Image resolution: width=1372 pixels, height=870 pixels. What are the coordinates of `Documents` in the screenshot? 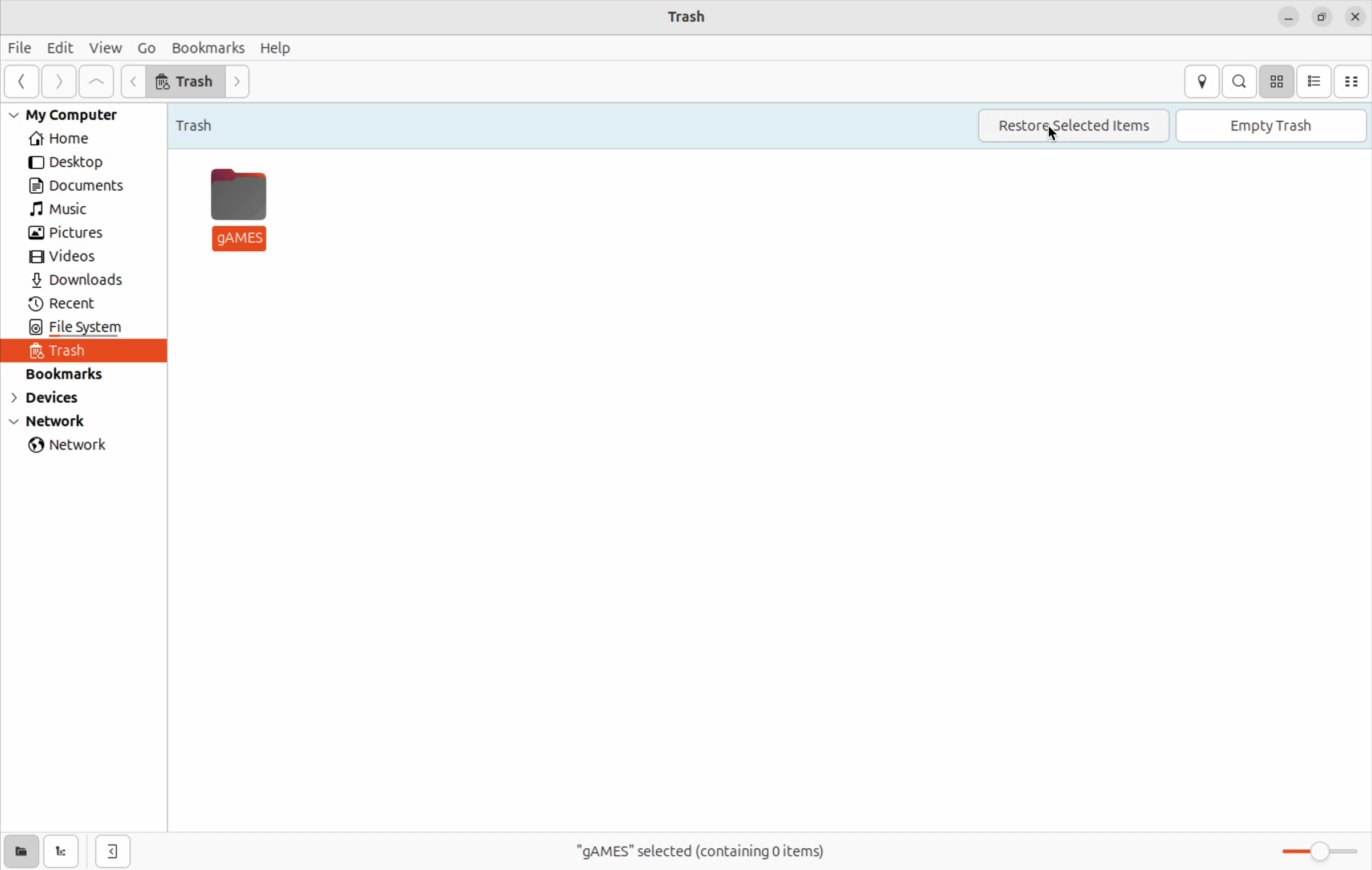 It's located at (82, 185).